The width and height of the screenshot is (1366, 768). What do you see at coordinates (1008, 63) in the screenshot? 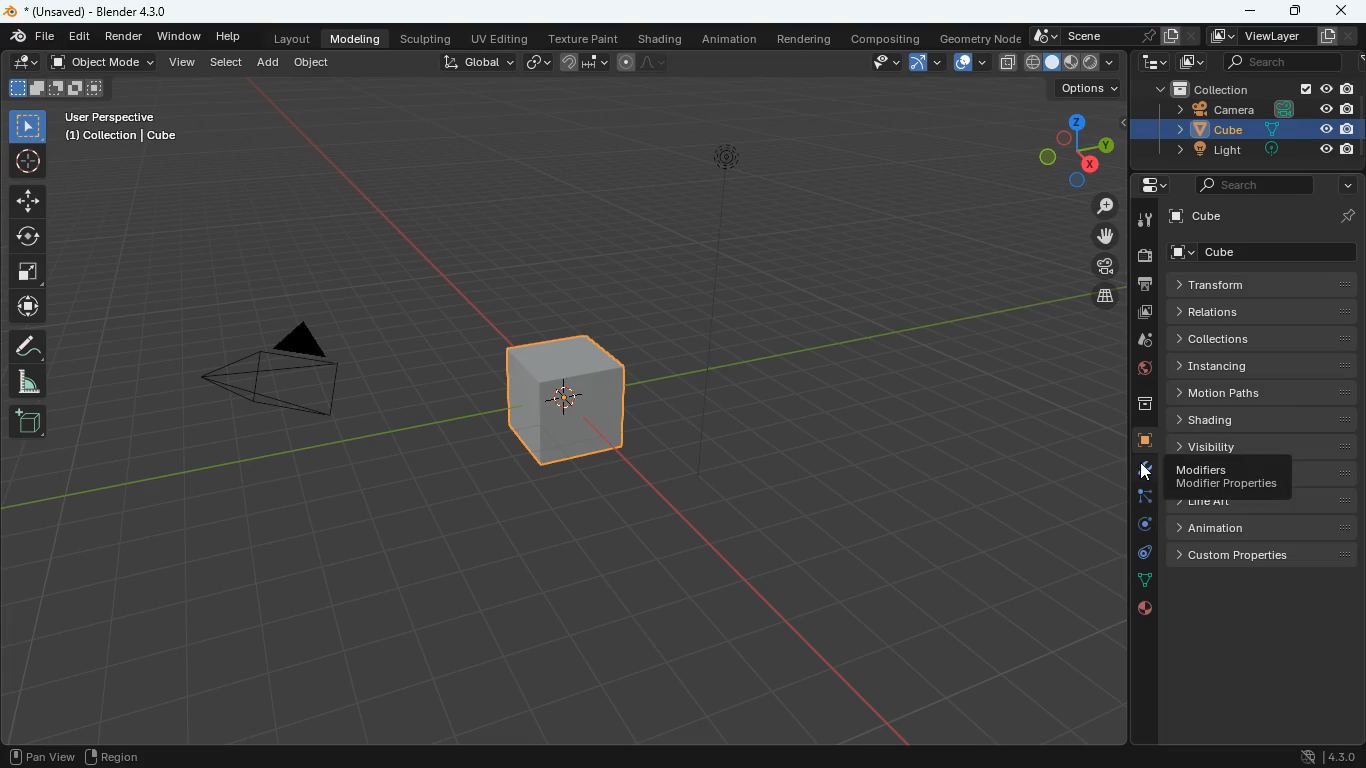
I see `copy` at bounding box center [1008, 63].